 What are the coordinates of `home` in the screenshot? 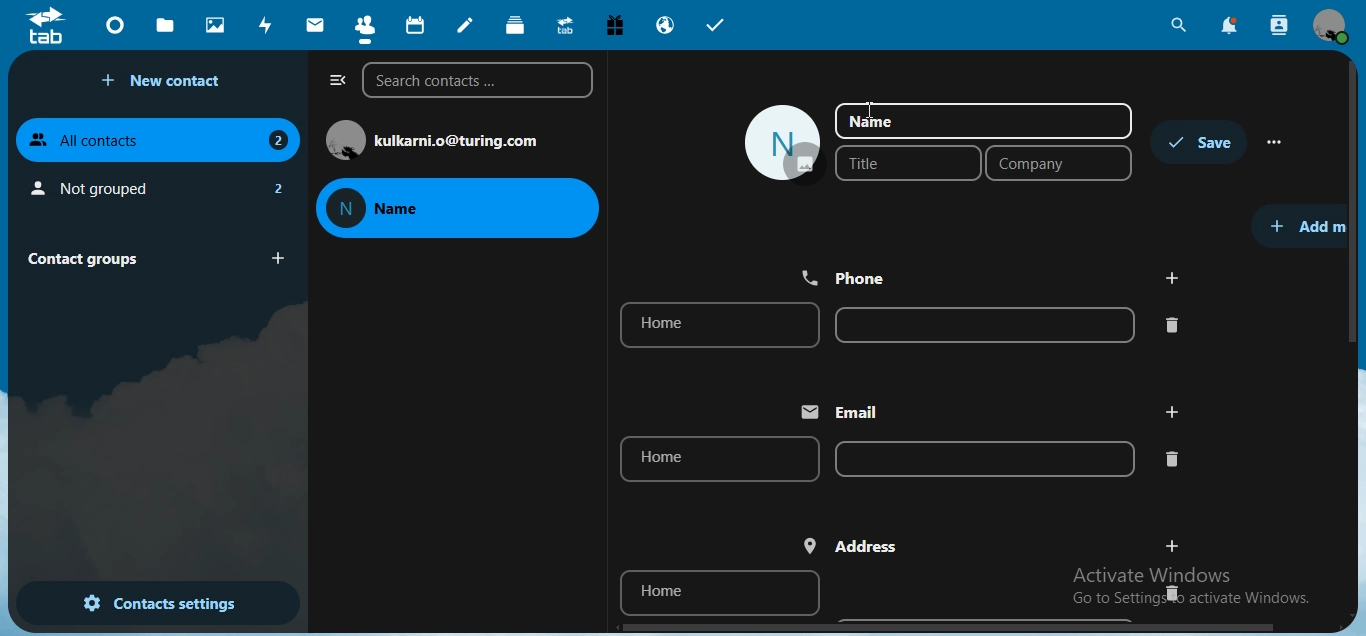 It's located at (719, 460).